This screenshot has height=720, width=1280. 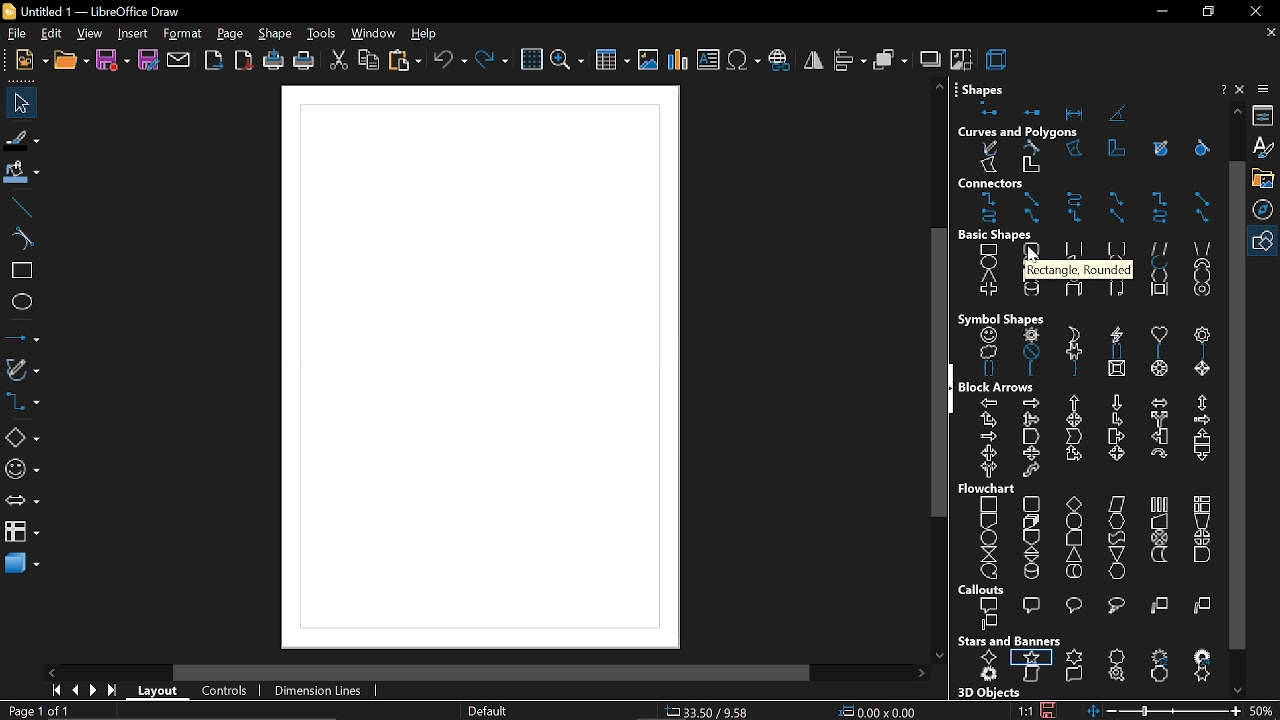 I want to click on curves and polygons, so click(x=1019, y=132).